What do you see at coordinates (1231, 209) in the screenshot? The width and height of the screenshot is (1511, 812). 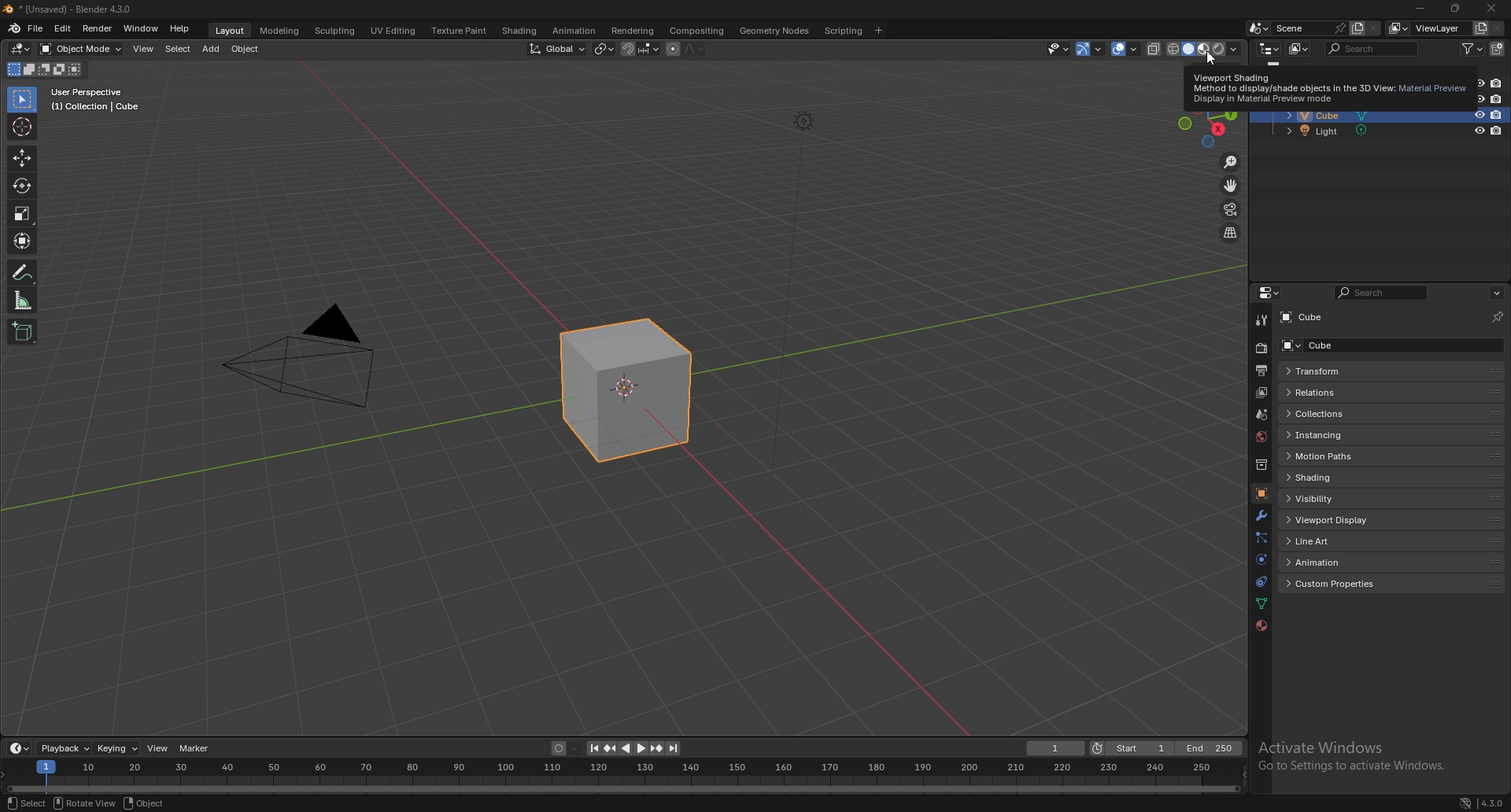 I see `camera view` at bounding box center [1231, 209].